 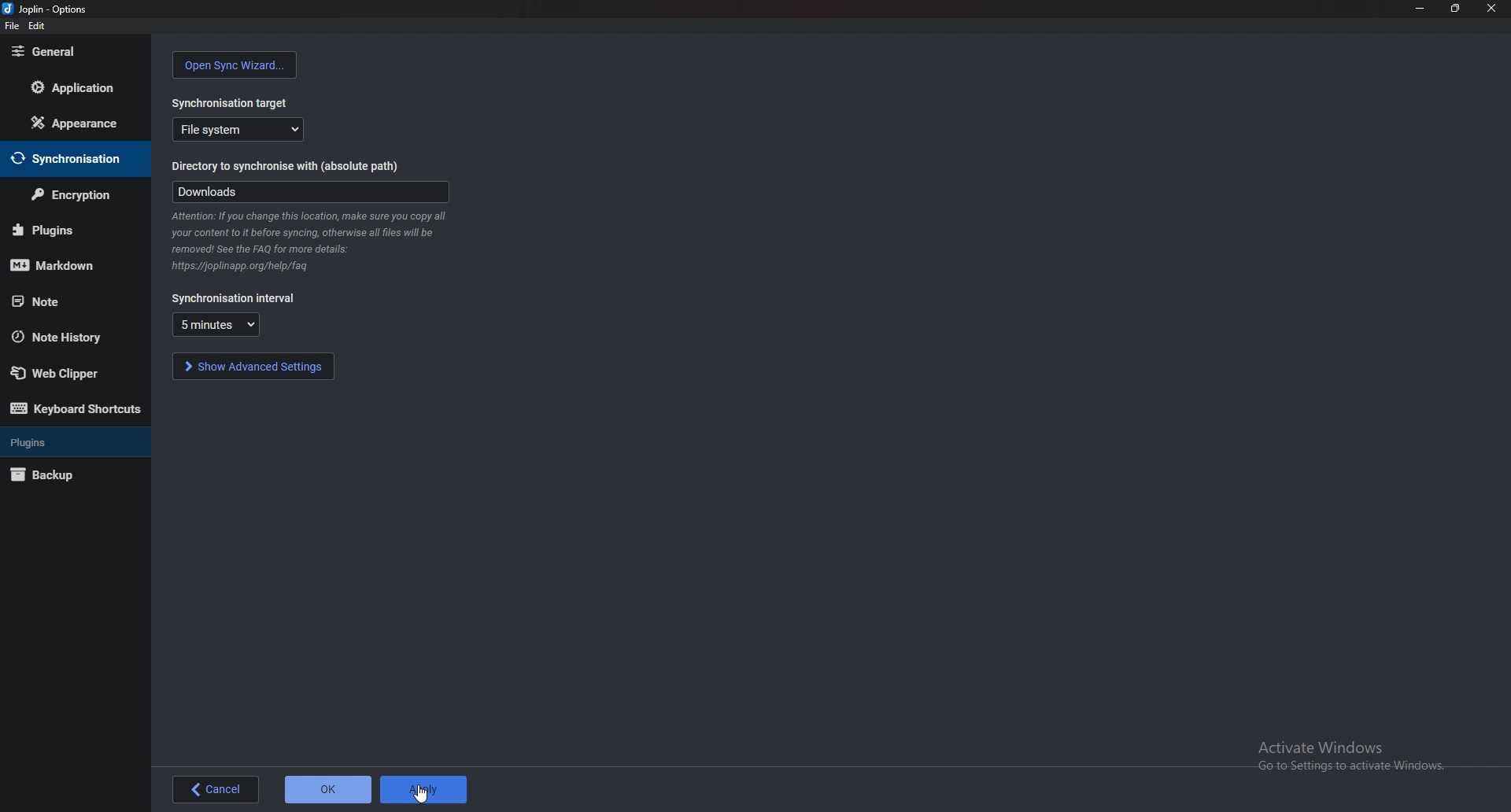 I want to click on Plugins, so click(x=68, y=231).